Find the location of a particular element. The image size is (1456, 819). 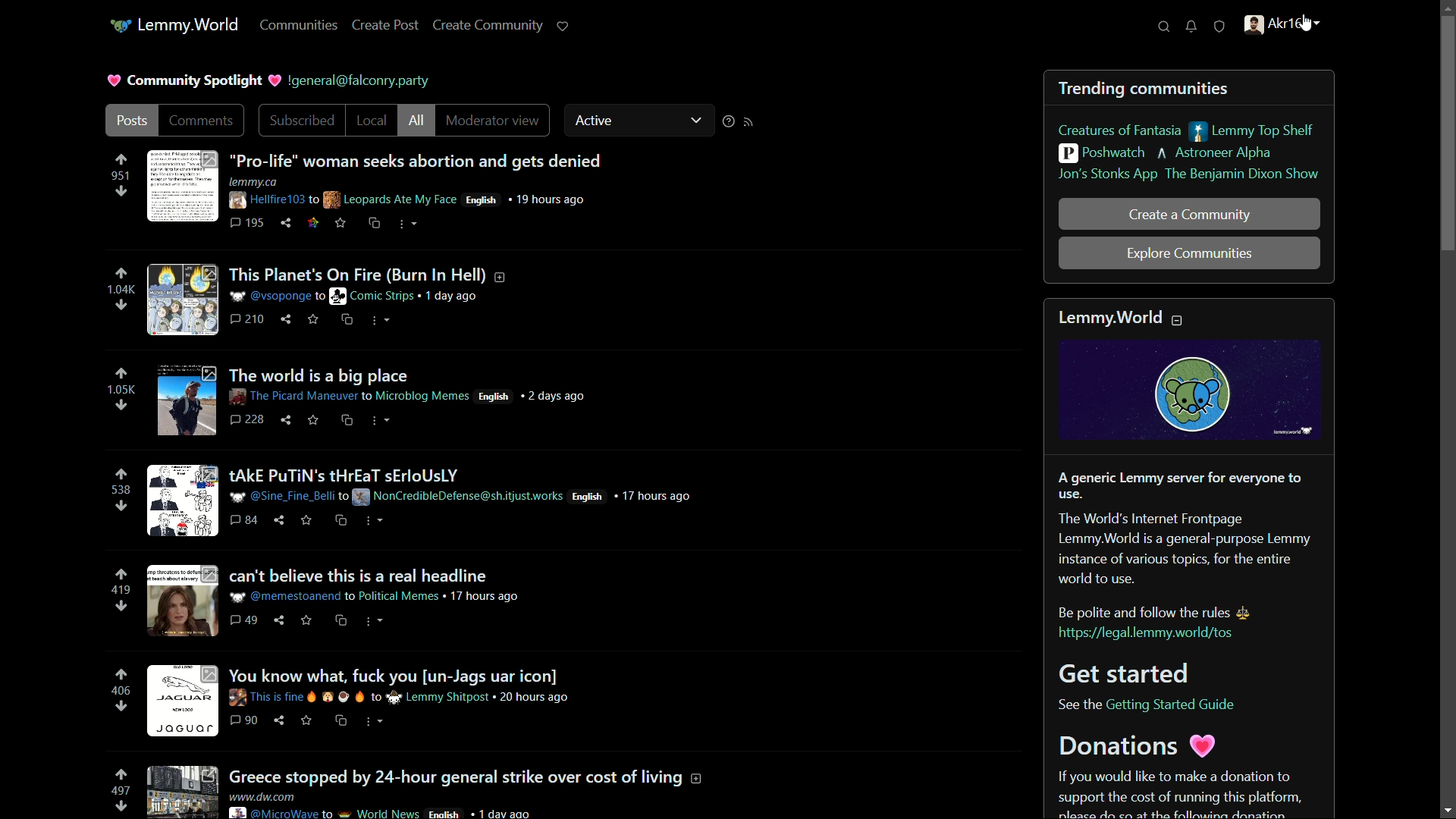

downvote is located at coordinates (121, 191).